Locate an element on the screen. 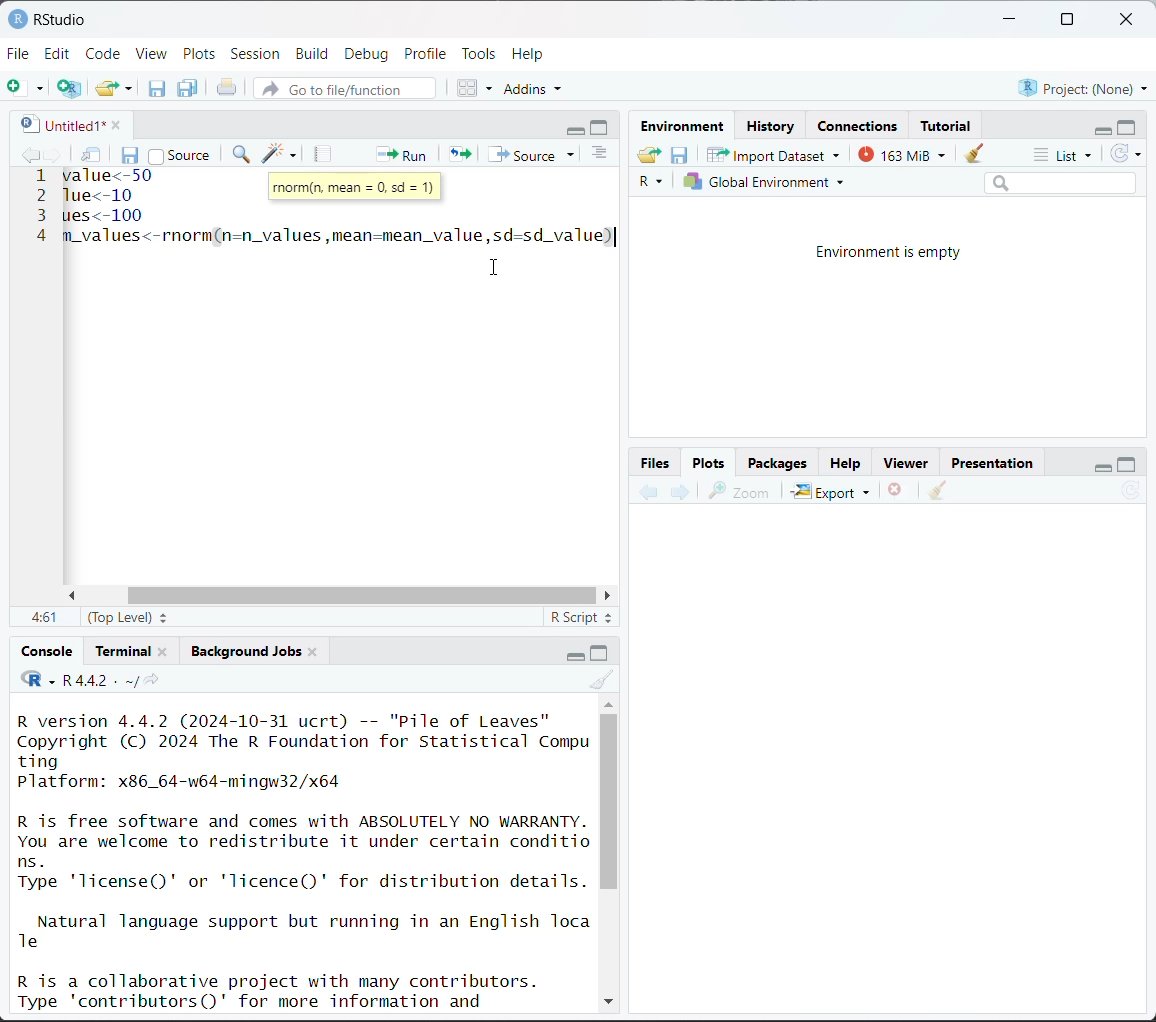 Image resolution: width=1156 pixels, height=1022 pixels. previous plot is located at coordinates (649, 493).